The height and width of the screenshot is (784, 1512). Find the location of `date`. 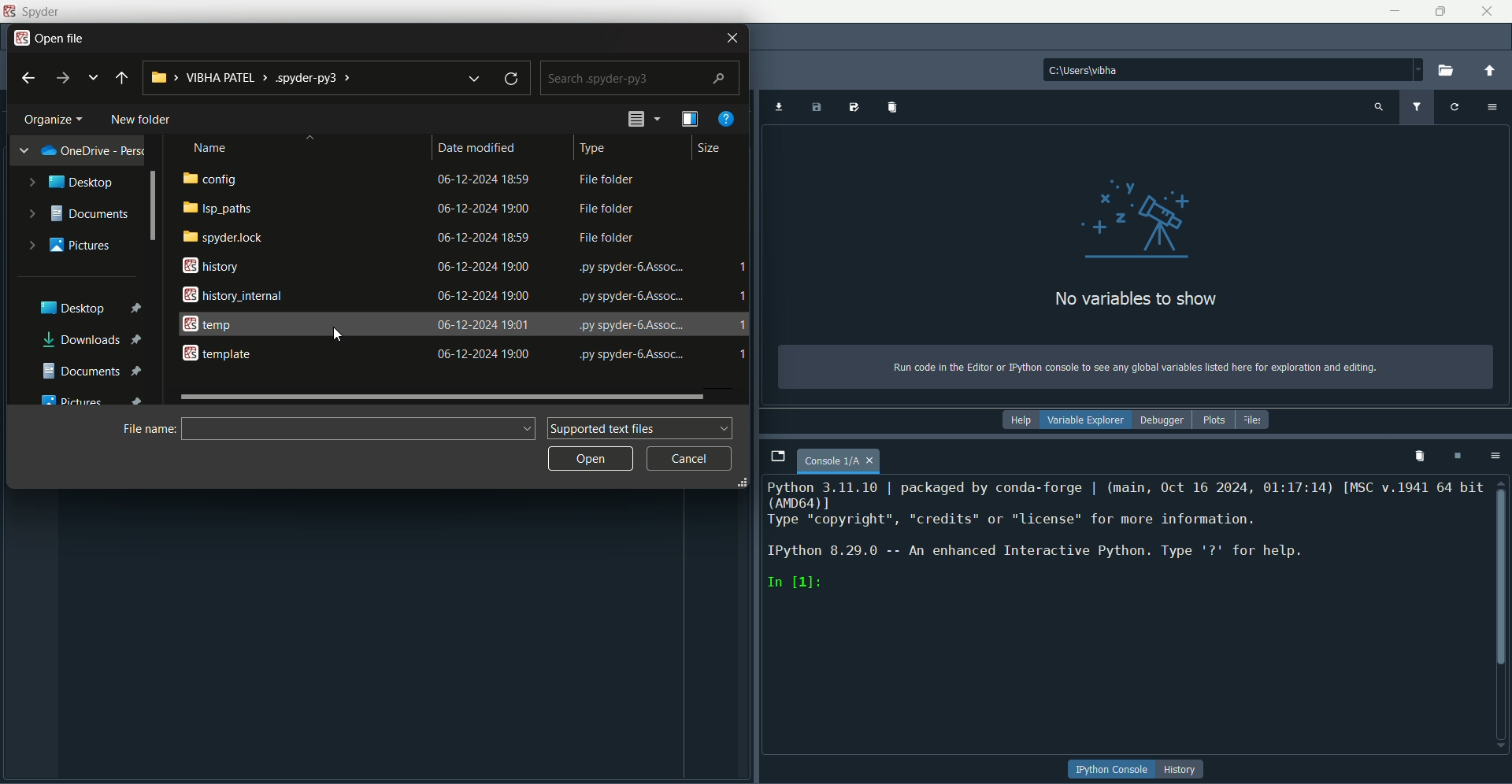

date is located at coordinates (485, 353).